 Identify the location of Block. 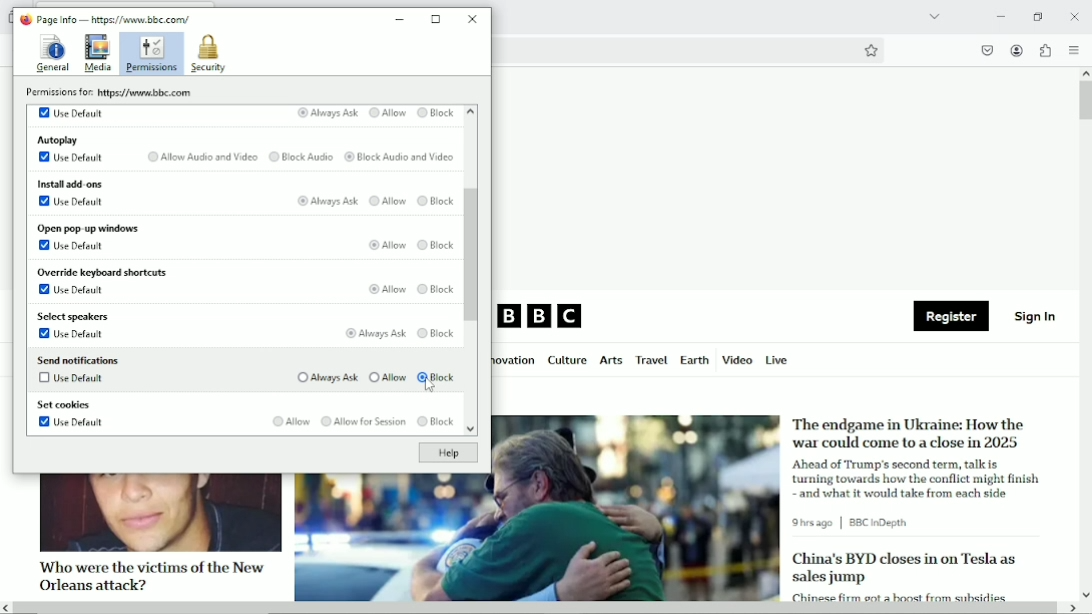
(436, 291).